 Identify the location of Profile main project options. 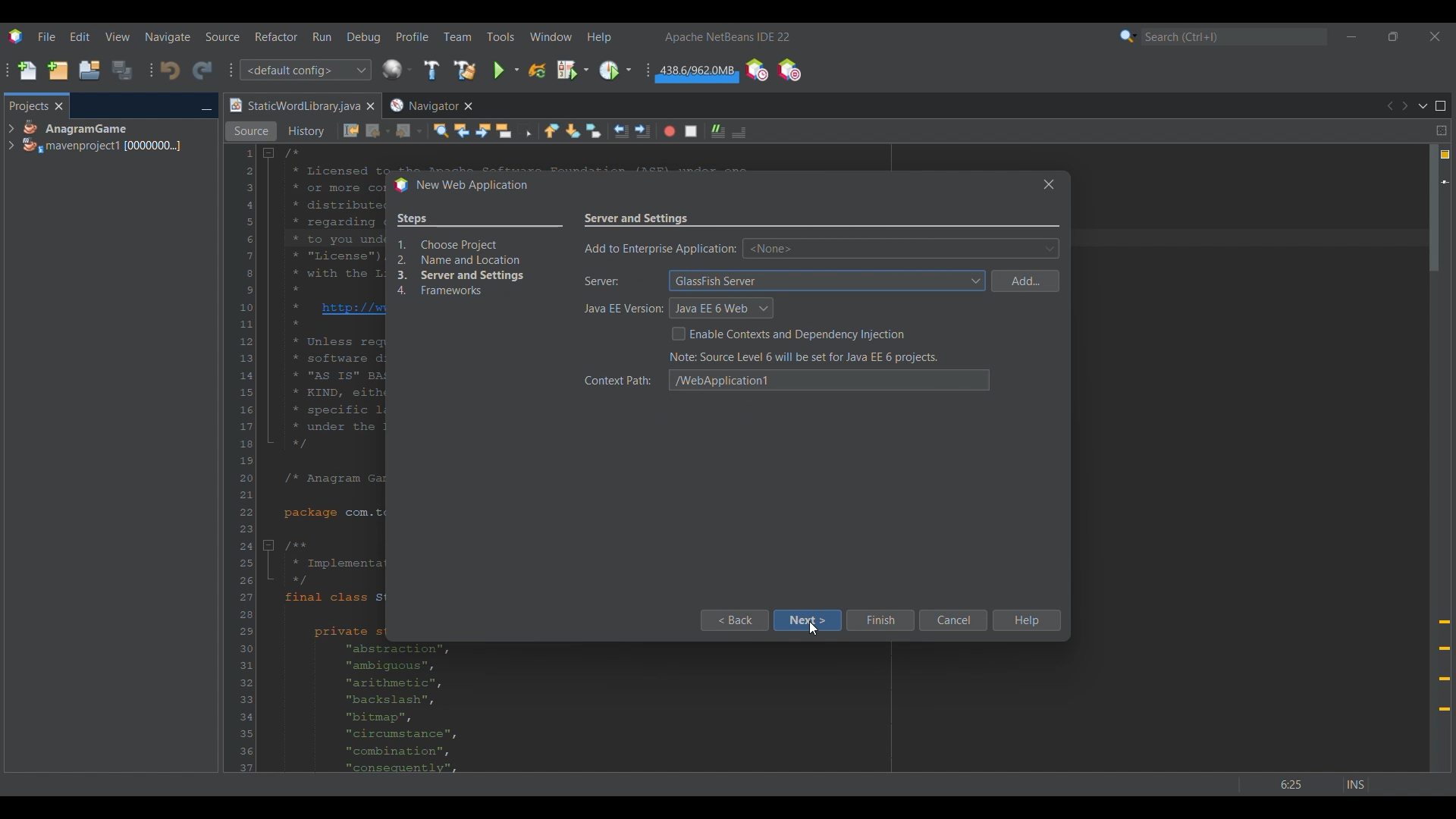
(615, 71).